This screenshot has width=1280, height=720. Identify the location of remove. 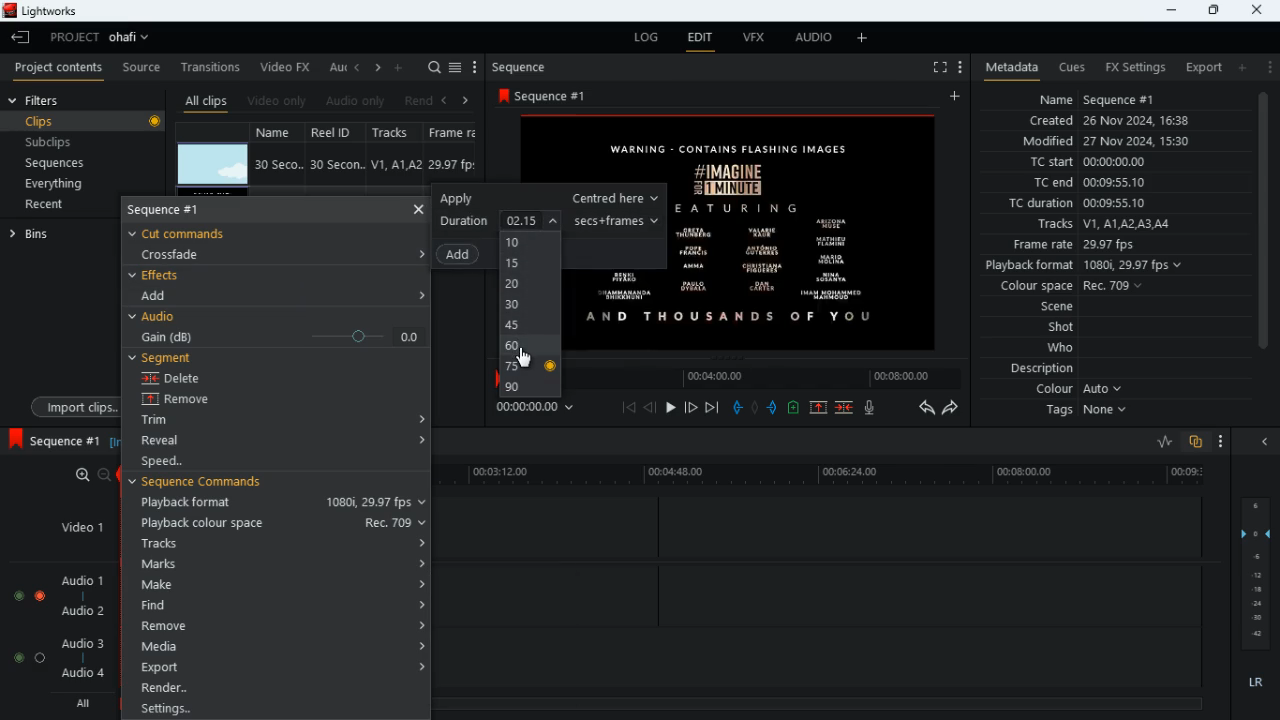
(192, 400).